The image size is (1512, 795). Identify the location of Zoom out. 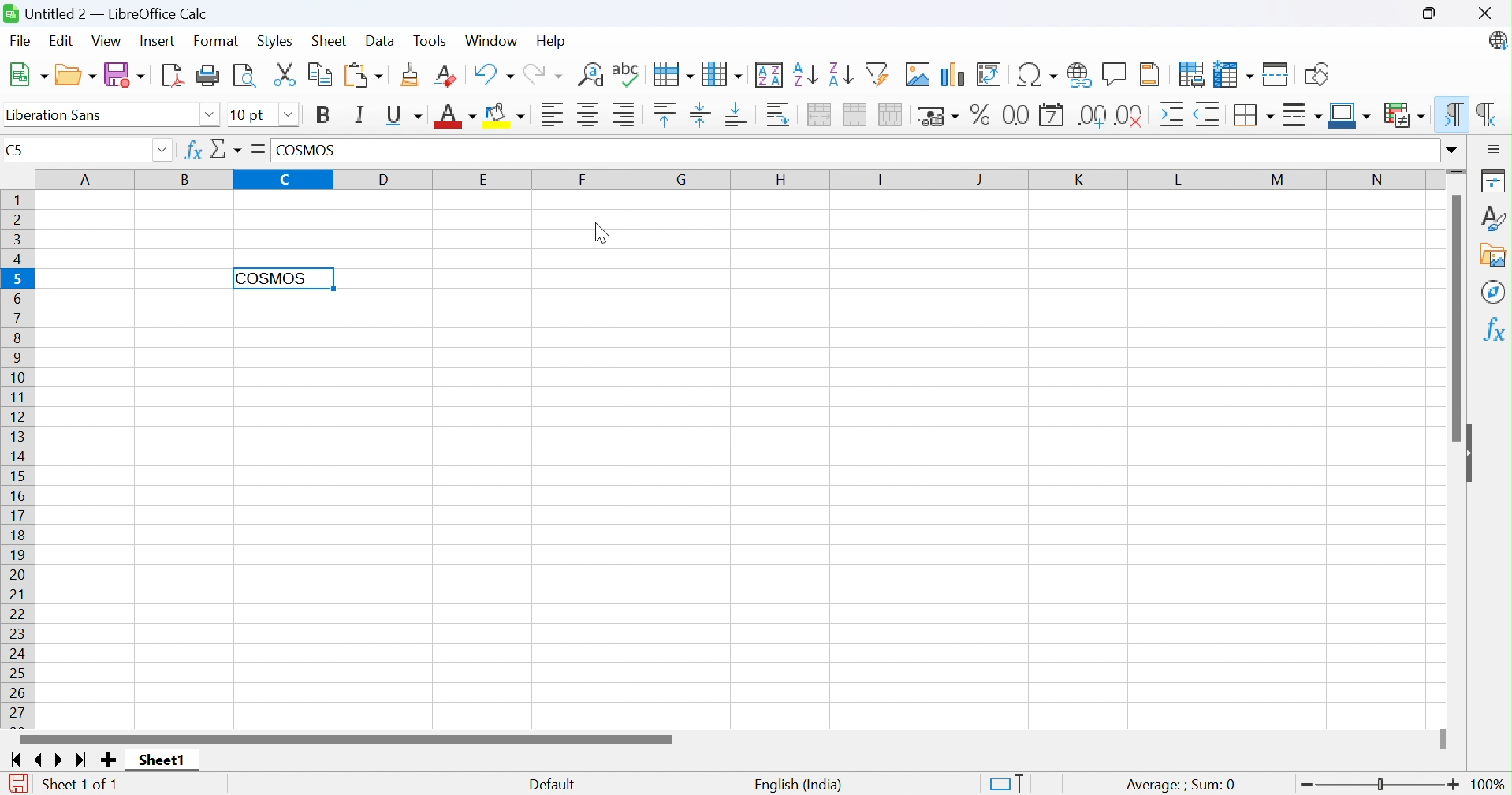
(1309, 783).